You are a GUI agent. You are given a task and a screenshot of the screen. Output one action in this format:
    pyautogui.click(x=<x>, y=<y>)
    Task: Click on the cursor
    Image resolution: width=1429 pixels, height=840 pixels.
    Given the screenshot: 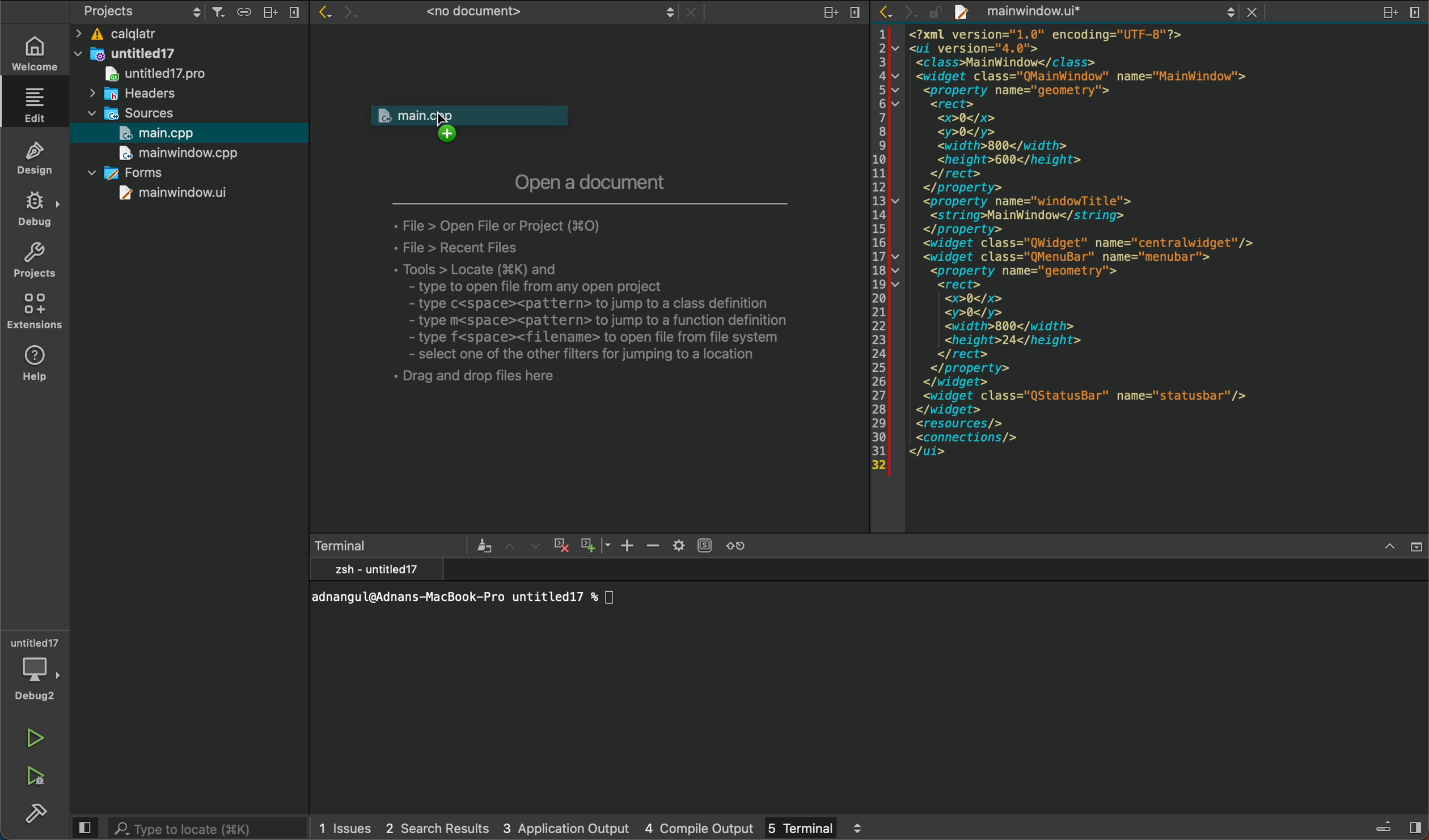 What is the action you would take?
    pyautogui.click(x=442, y=122)
    